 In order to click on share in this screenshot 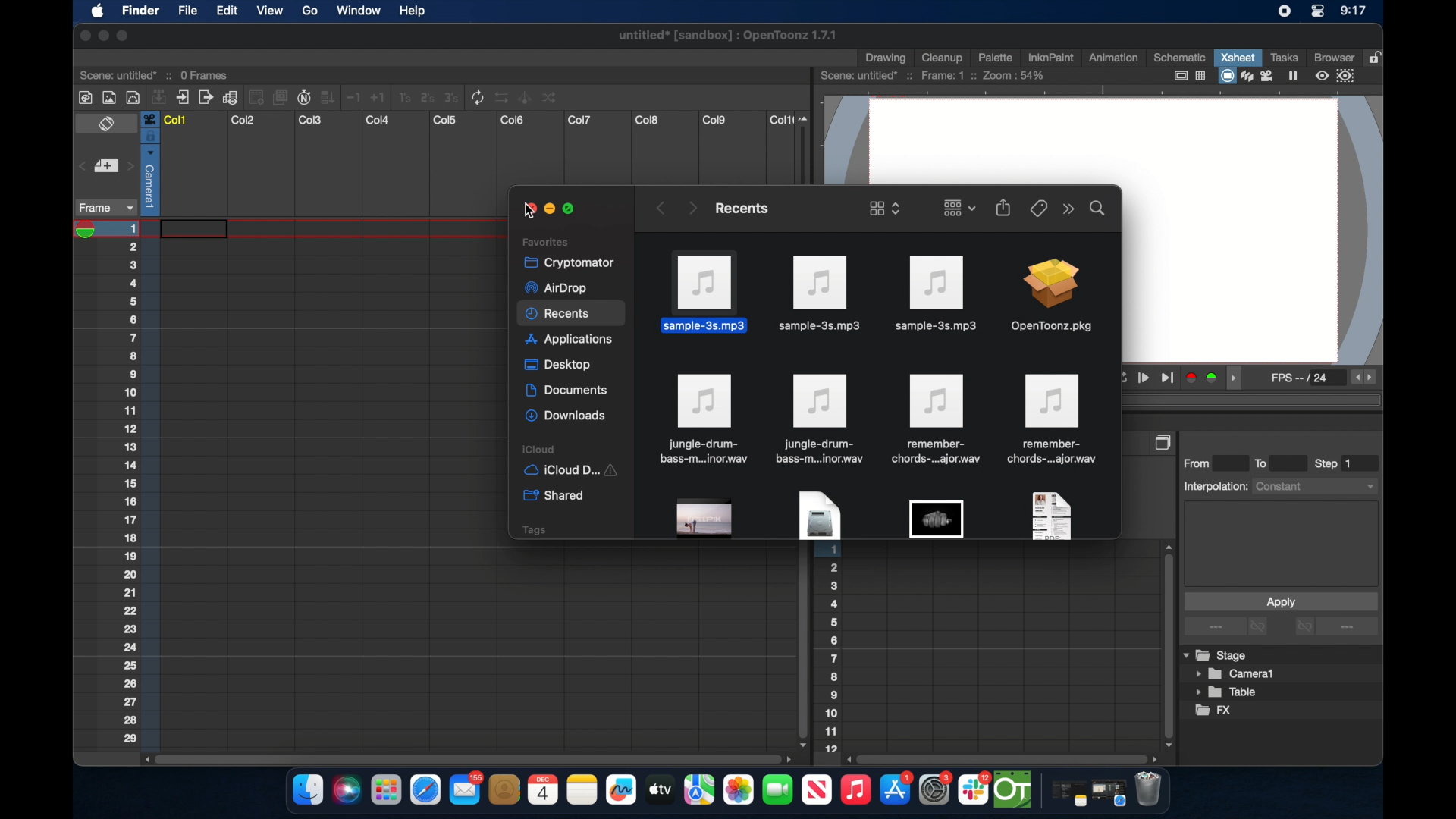, I will do `click(1004, 207)`.